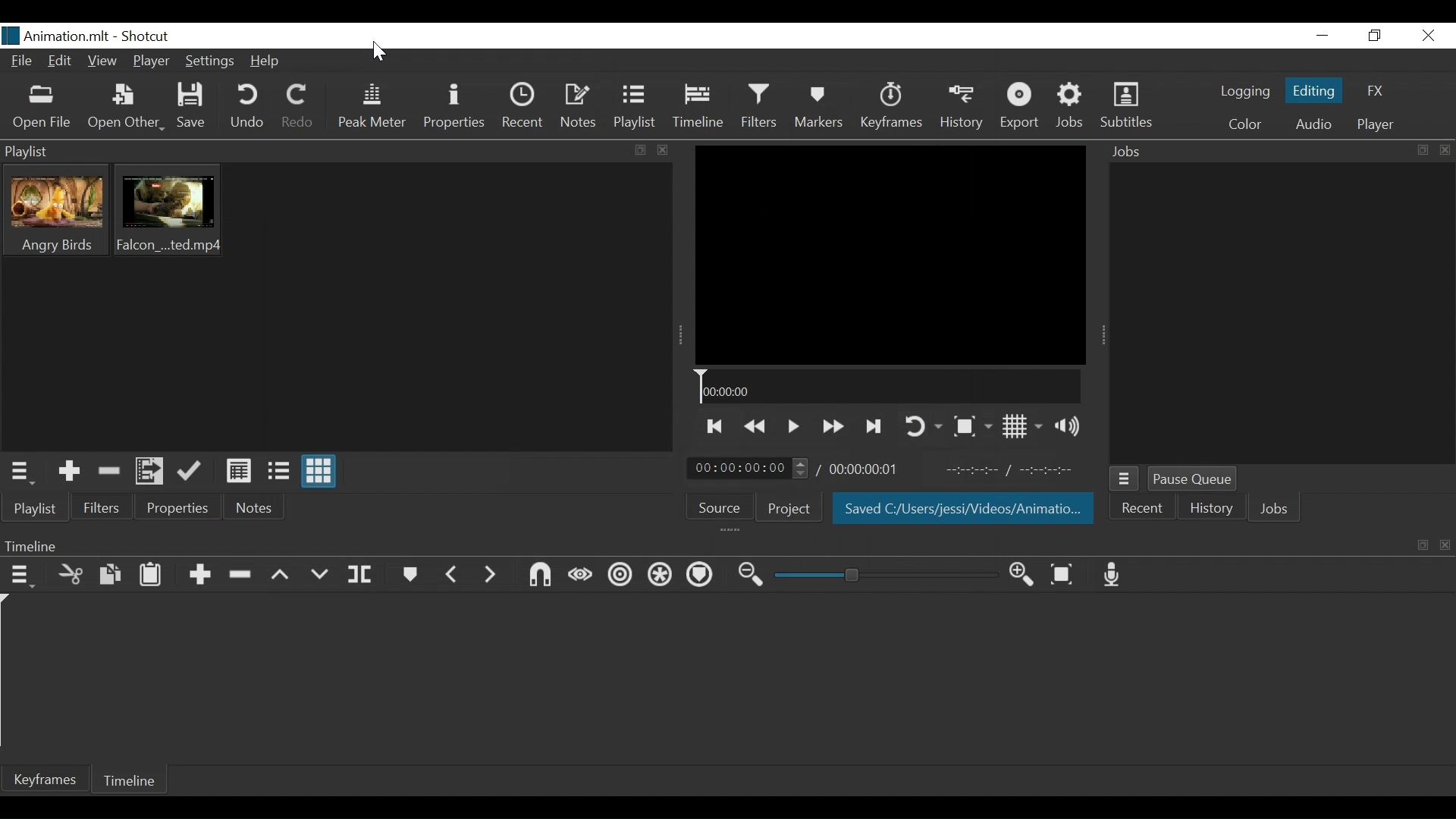 This screenshot has height=819, width=1456. I want to click on Shotcut, so click(145, 37).